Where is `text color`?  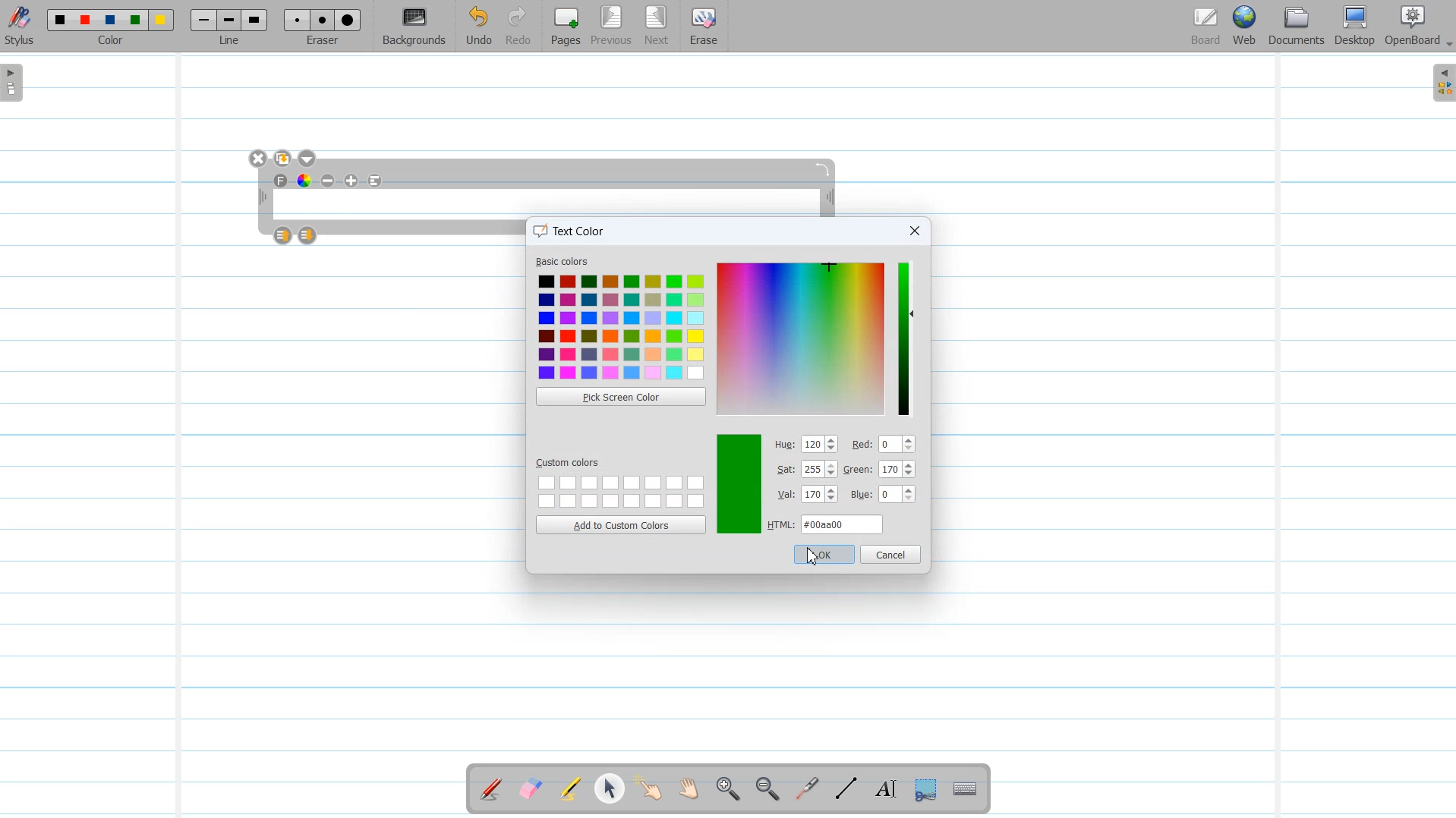 text color is located at coordinates (573, 229).